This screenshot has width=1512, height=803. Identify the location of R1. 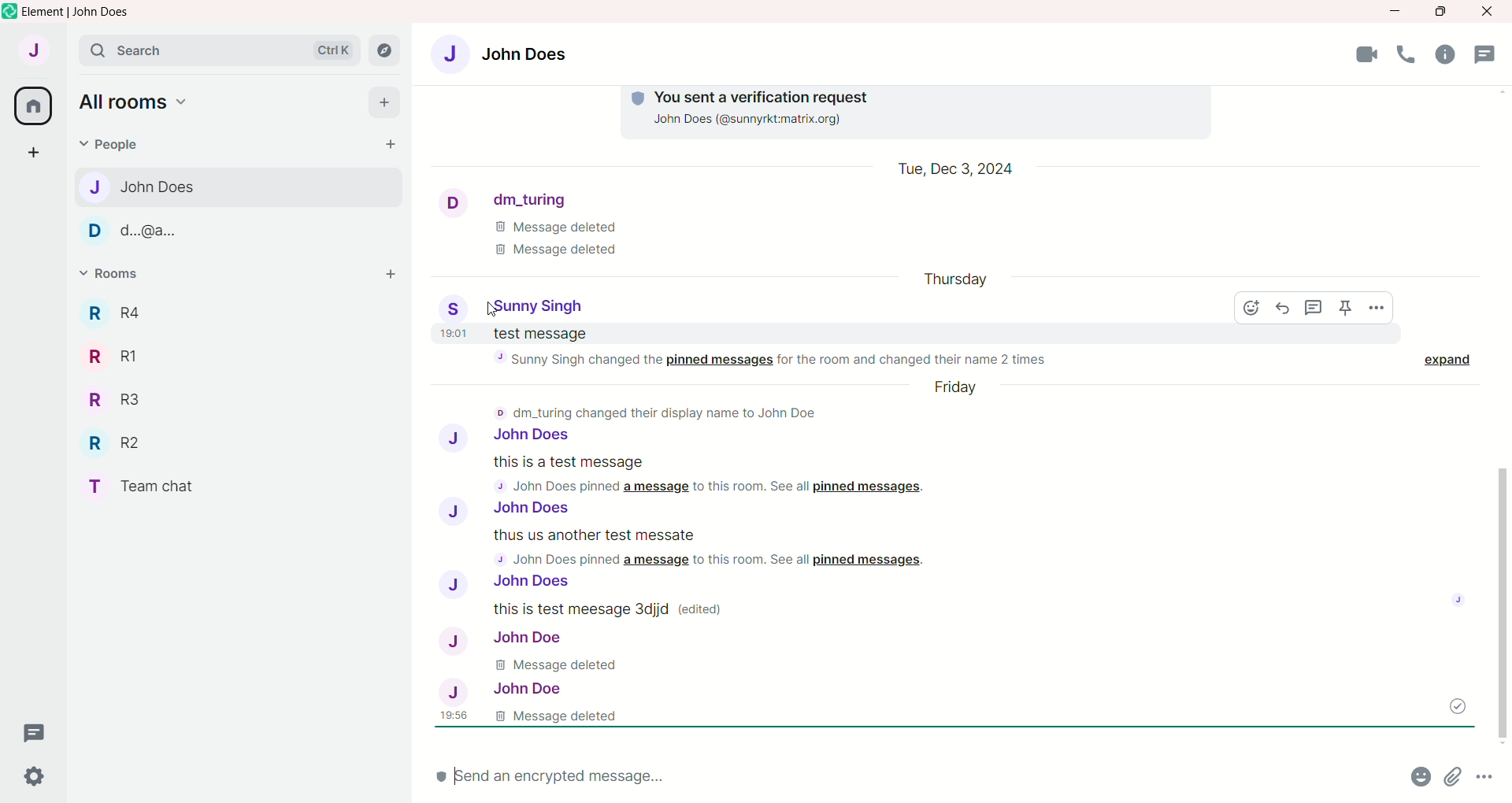
(114, 355).